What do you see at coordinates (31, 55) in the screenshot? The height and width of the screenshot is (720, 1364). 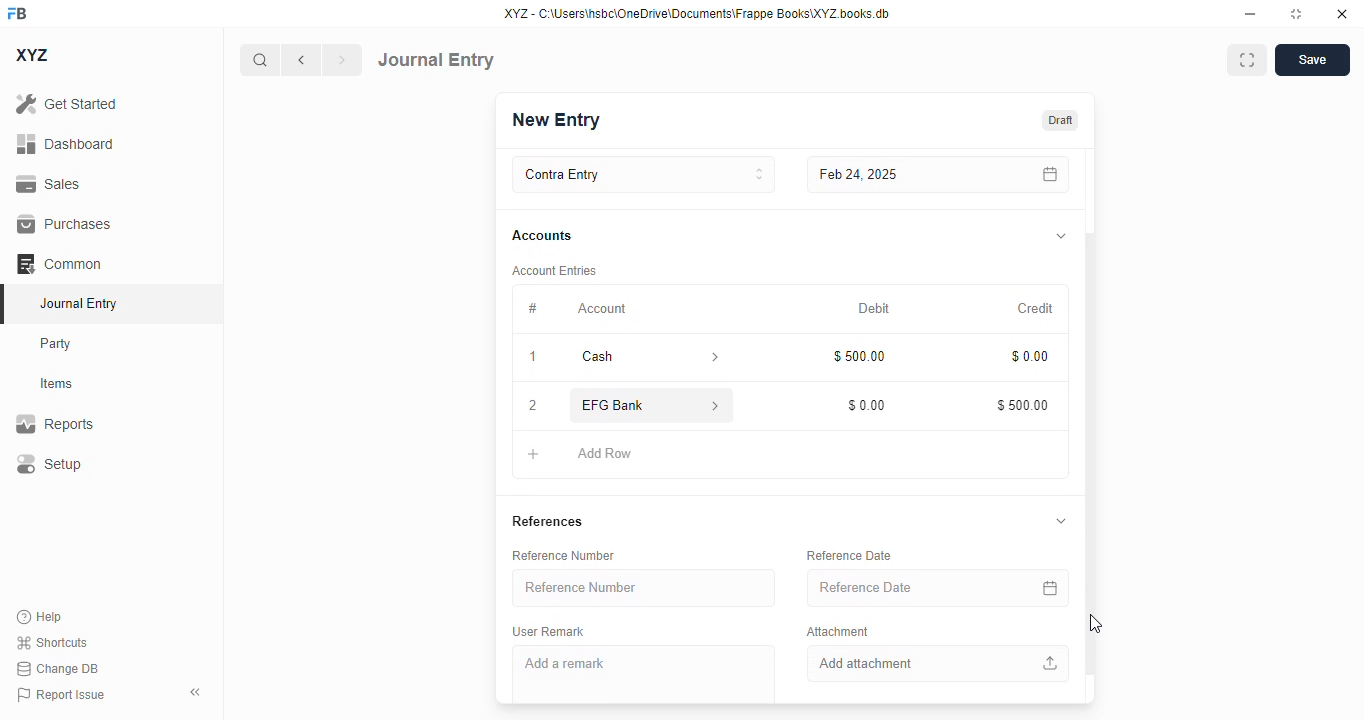 I see `XYZ` at bounding box center [31, 55].